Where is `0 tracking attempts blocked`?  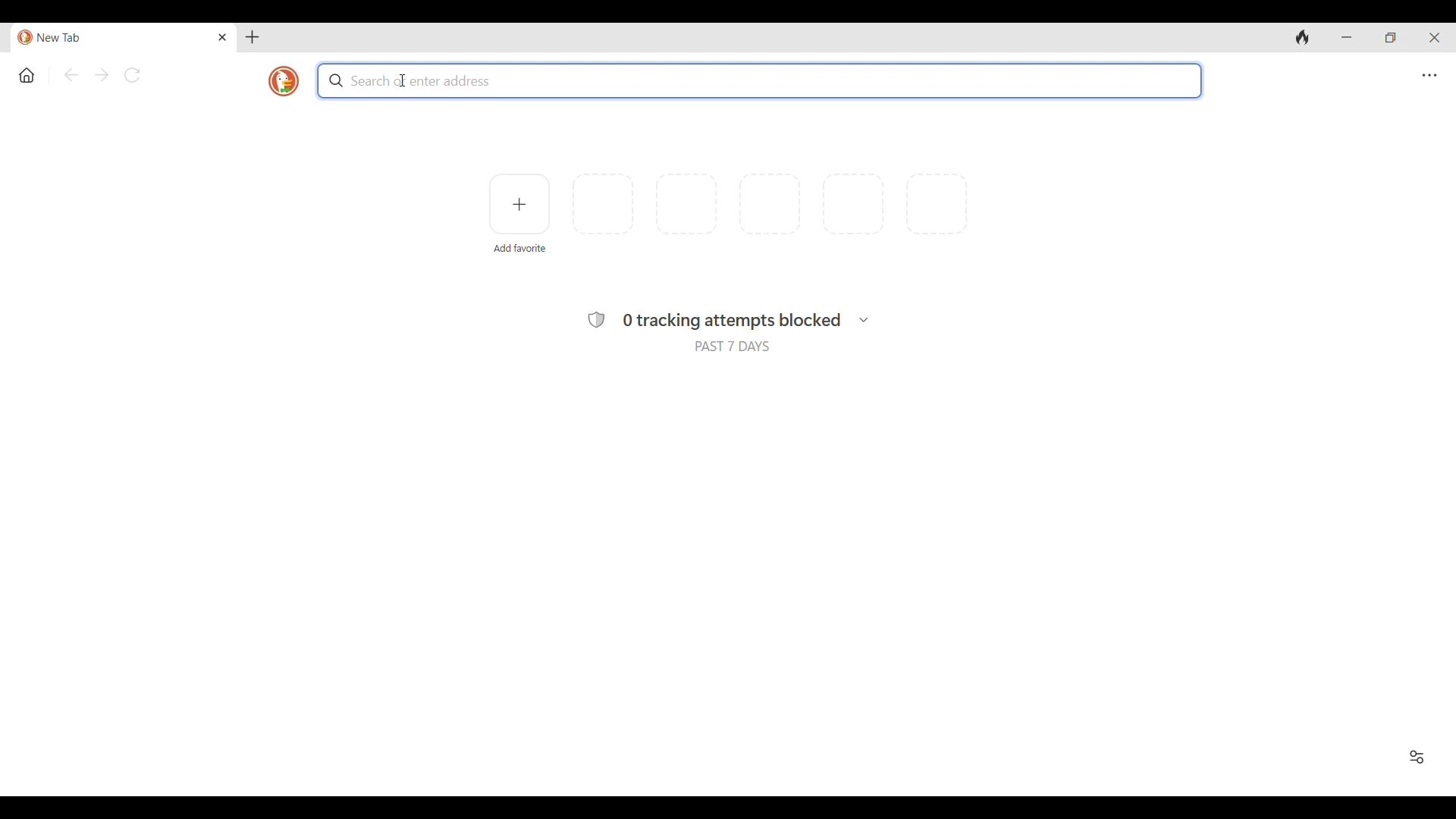 0 tracking attempts blocked is located at coordinates (732, 321).